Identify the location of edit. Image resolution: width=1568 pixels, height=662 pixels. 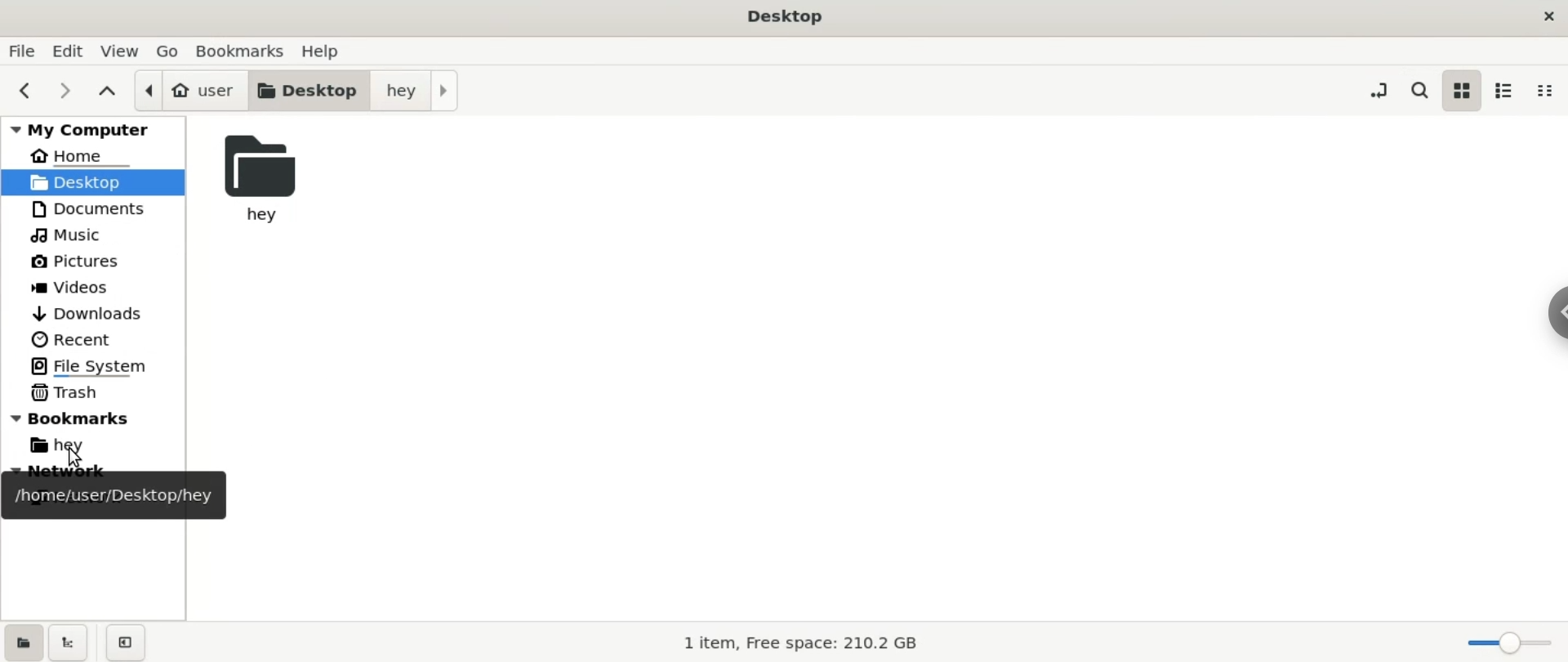
(73, 50).